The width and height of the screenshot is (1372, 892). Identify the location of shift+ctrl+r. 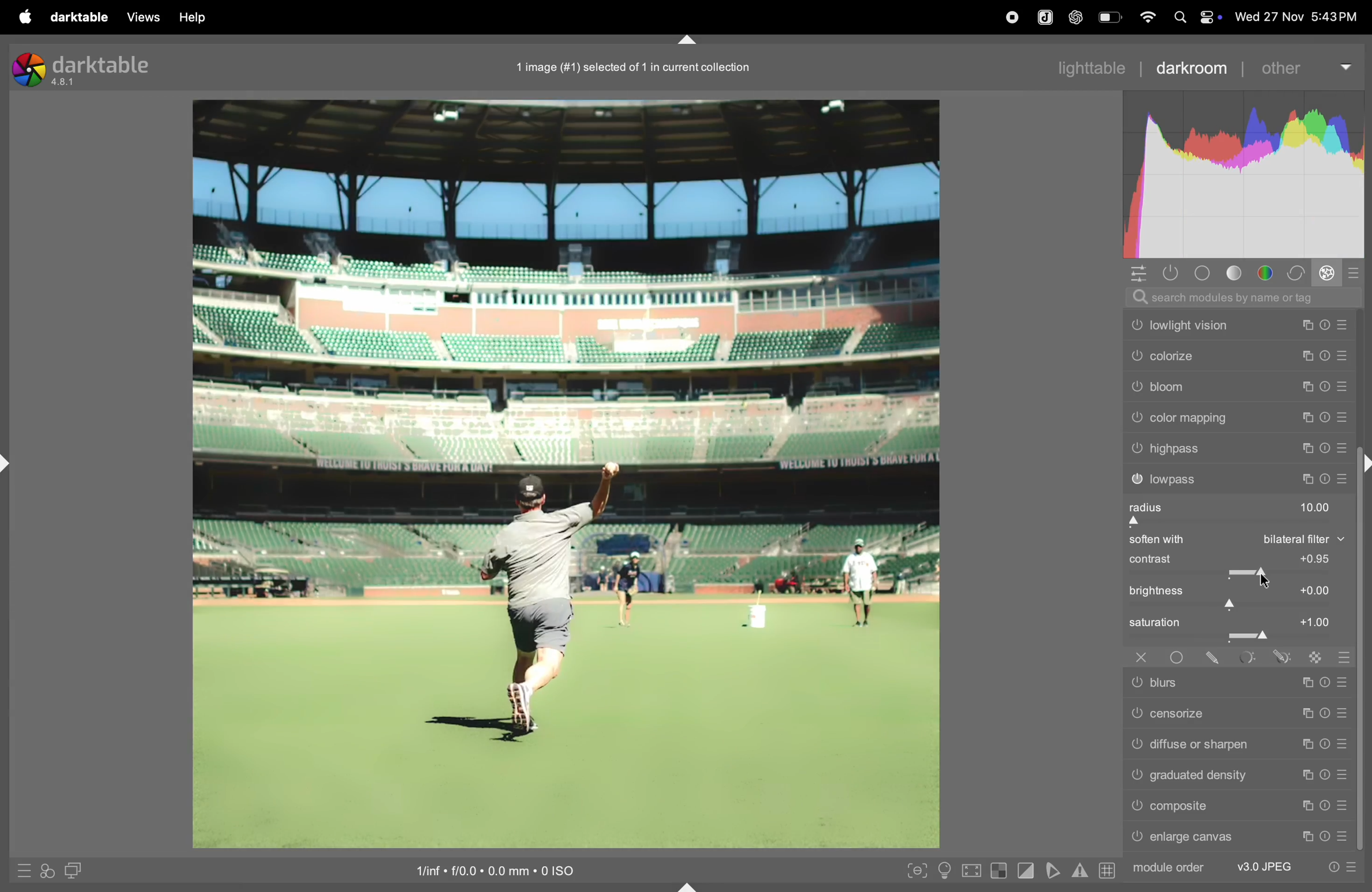
(1363, 466).